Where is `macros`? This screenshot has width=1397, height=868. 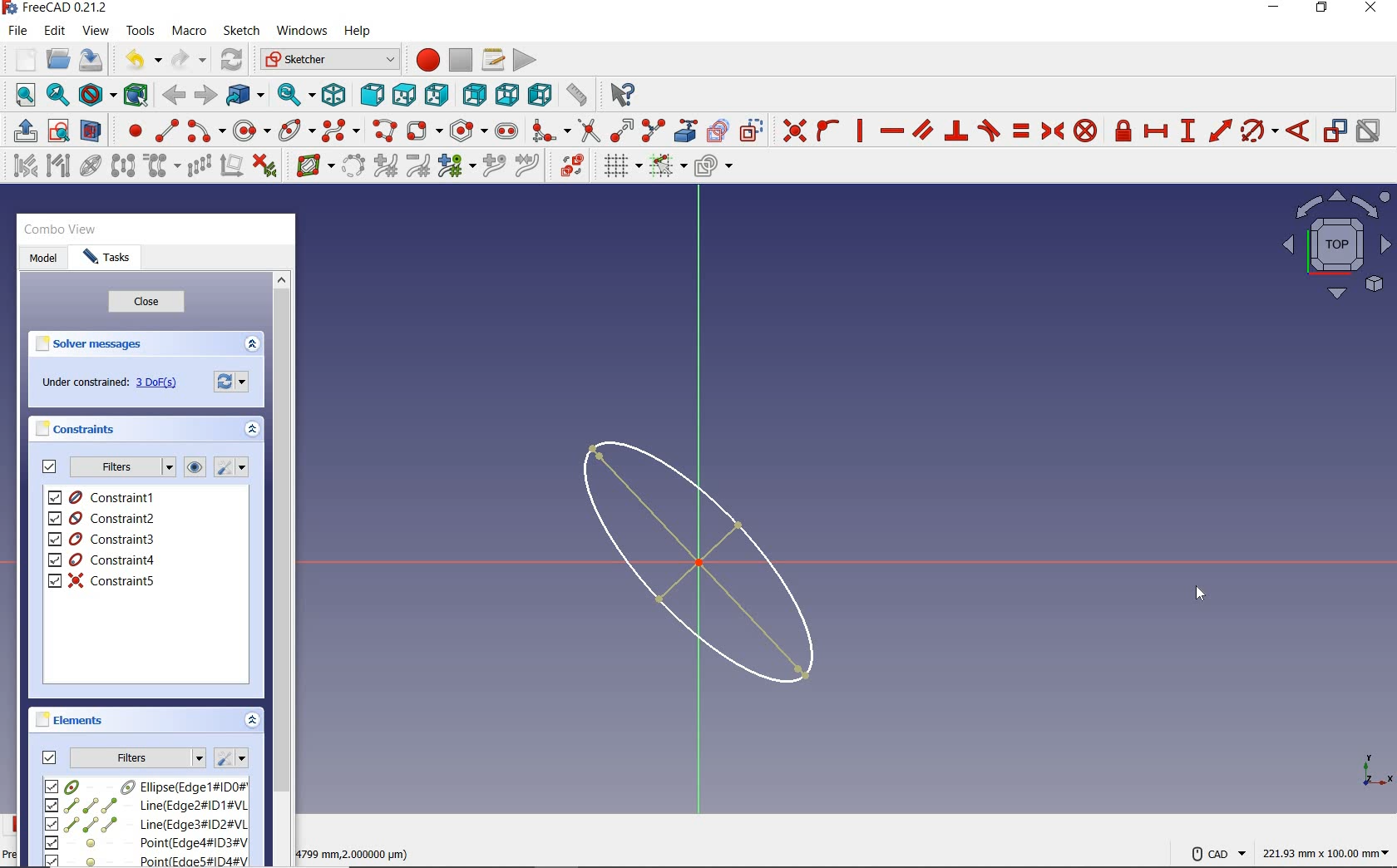 macros is located at coordinates (491, 58).